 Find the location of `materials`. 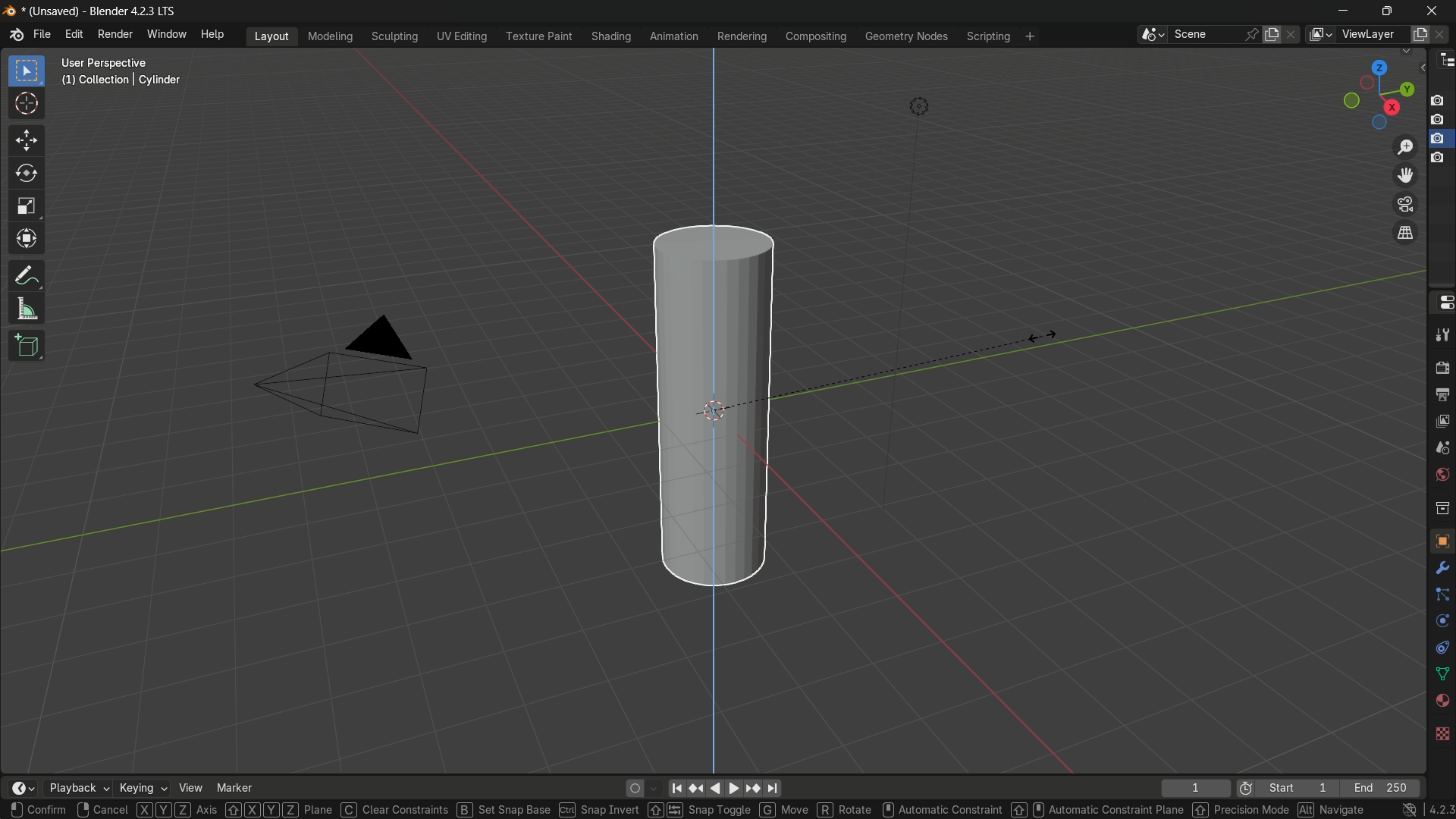

materials is located at coordinates (1439, 701).